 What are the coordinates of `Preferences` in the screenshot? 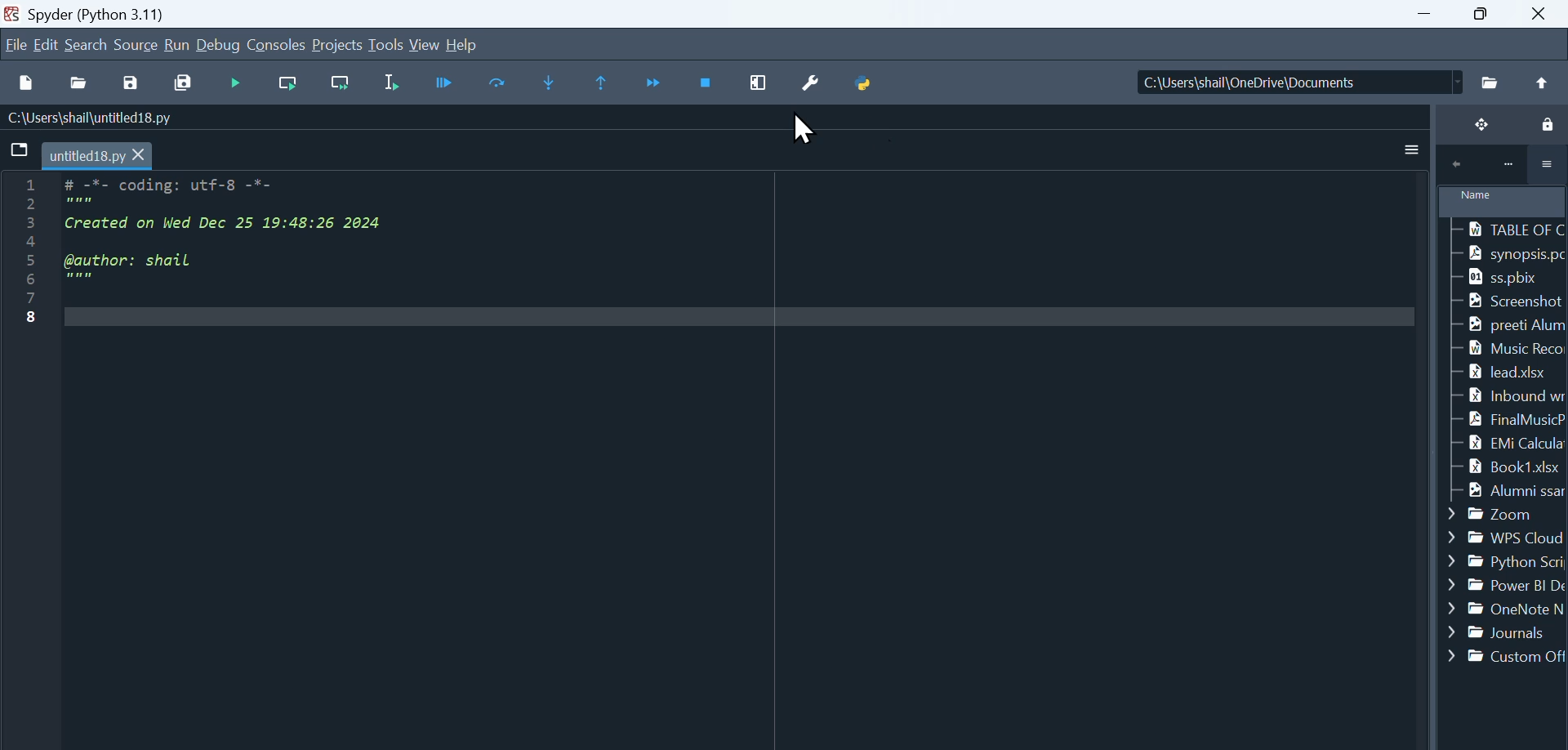 It's located at (817, 81).